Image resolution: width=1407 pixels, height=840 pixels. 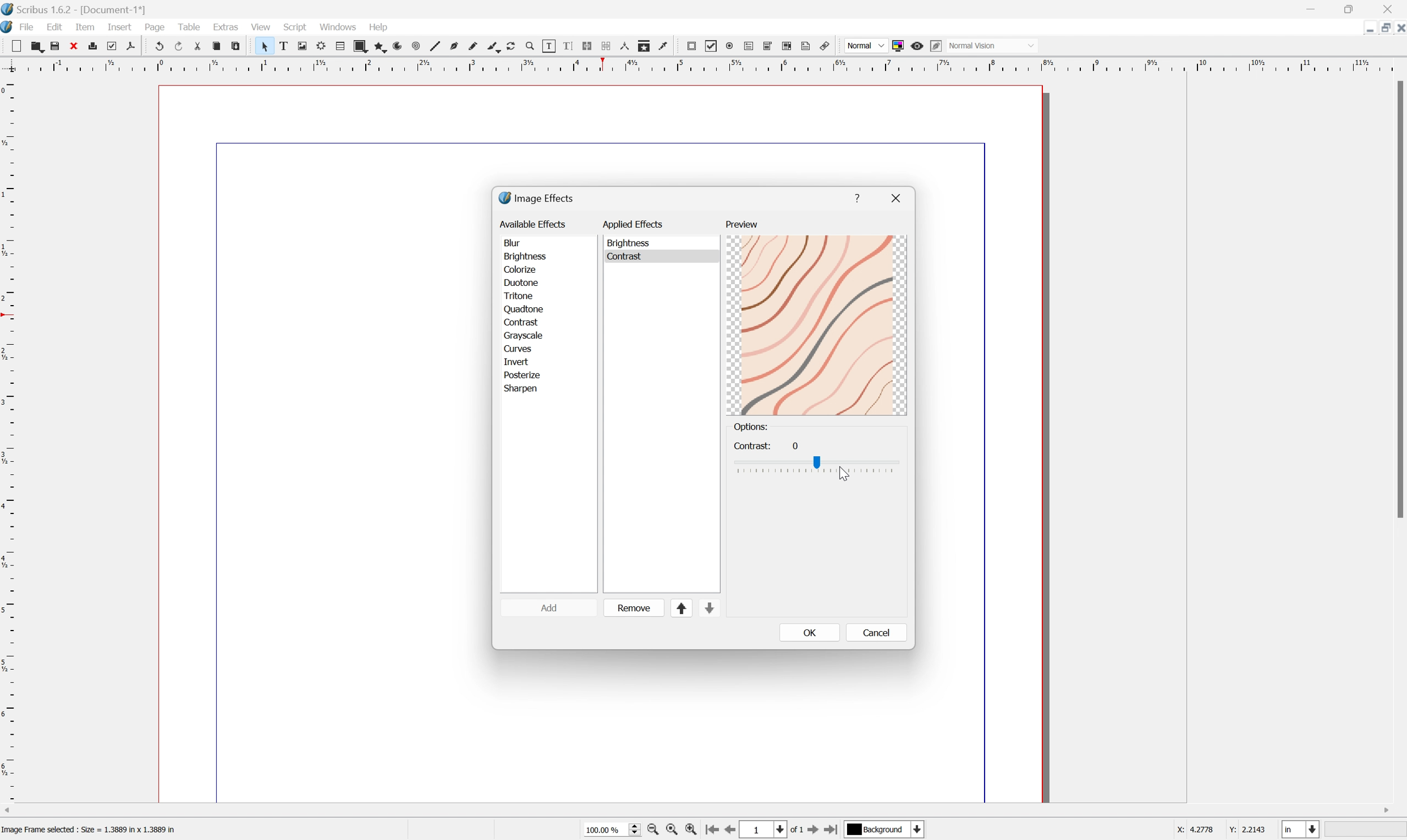 I want to click on Preview mode, so click(x=917, y=46).